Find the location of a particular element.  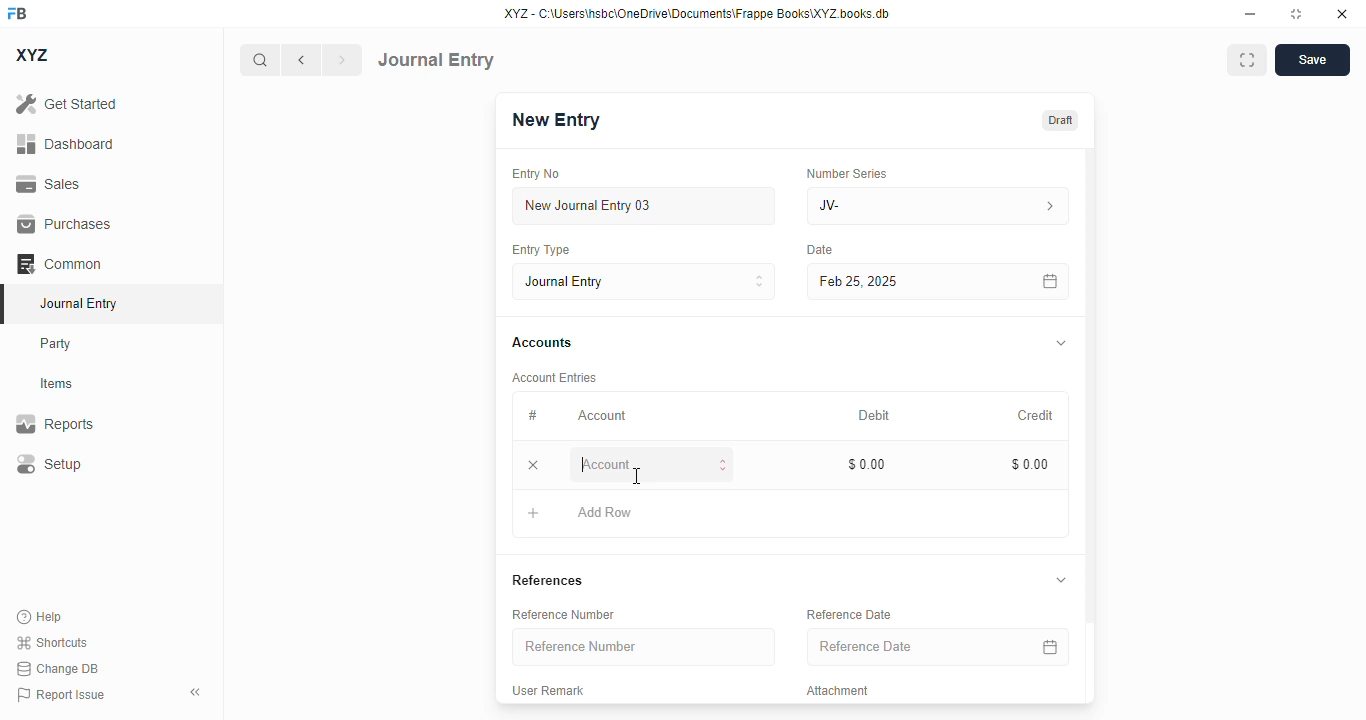

add row is located at coordinates (605, 512).